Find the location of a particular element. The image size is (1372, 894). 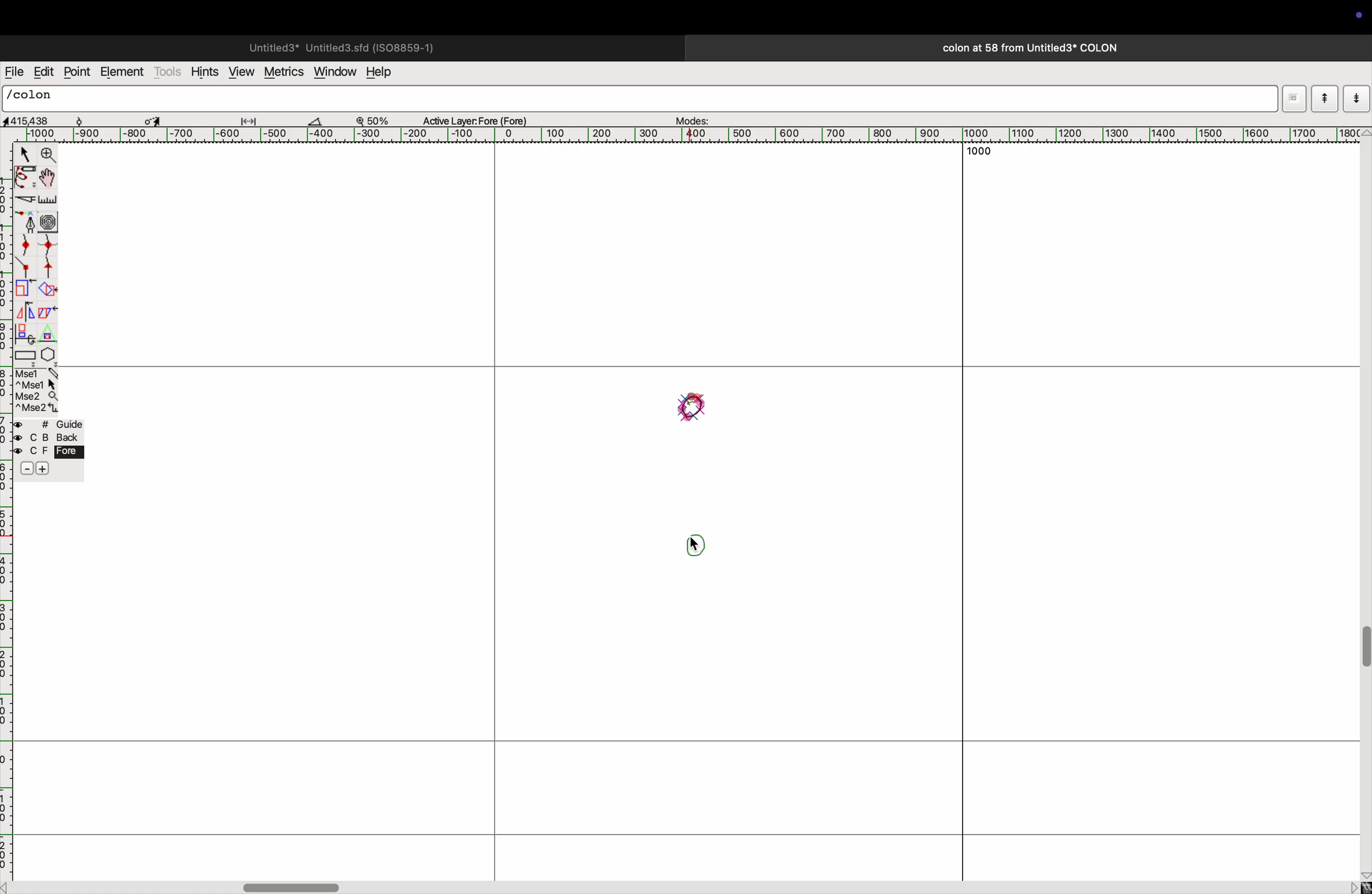

copy is located at coordinates (50, 314).